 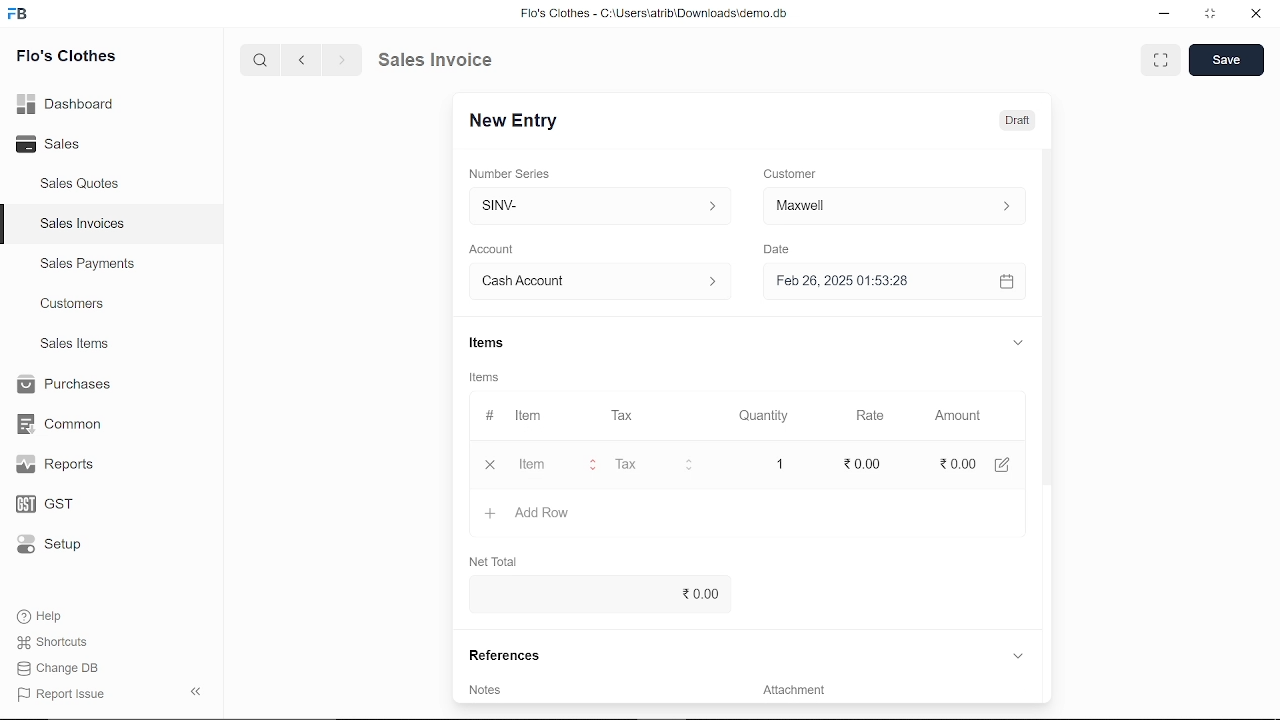 What do you see at coordinates (488, 463) in the screenshot?
I see `close` at bounding box center [488, 463].